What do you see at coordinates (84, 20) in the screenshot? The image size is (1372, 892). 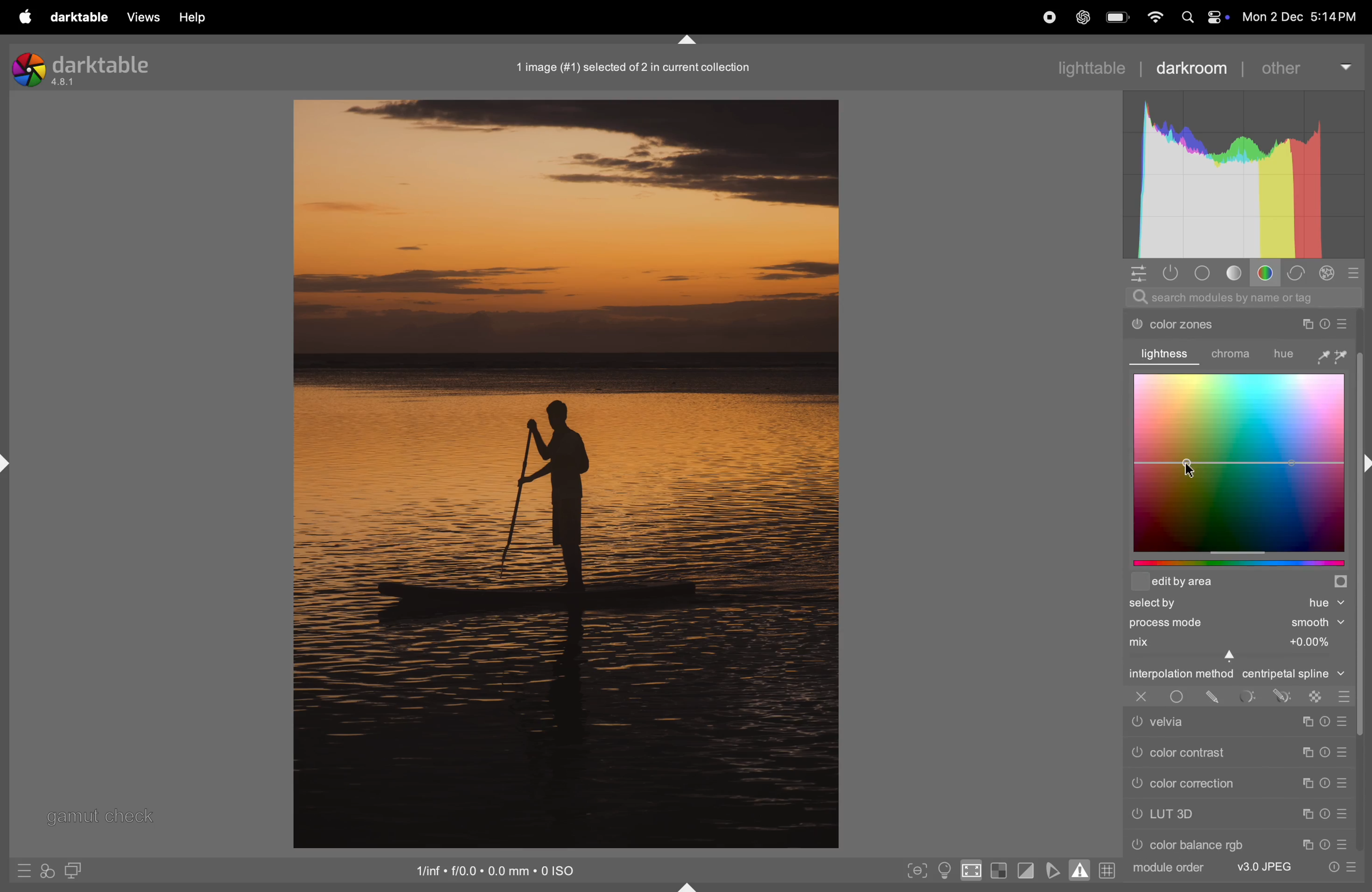 I see `darktable` at bounding box center [84, 20].